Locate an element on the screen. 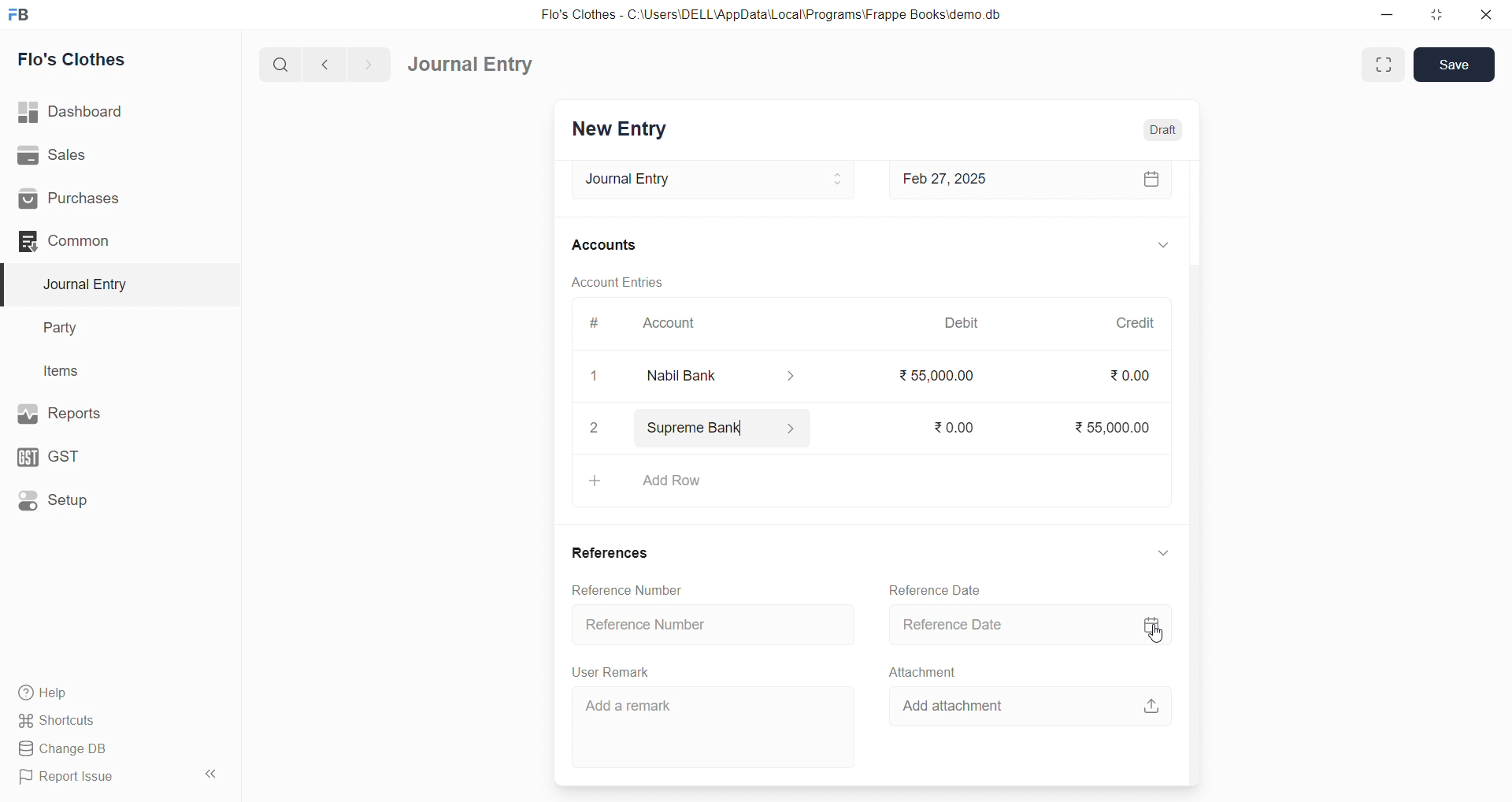  Flo's Clothes - C:\Users\DELL\AppData\Local\Programs\Frappe Books\demo.db is located at coordinates (771, 13).